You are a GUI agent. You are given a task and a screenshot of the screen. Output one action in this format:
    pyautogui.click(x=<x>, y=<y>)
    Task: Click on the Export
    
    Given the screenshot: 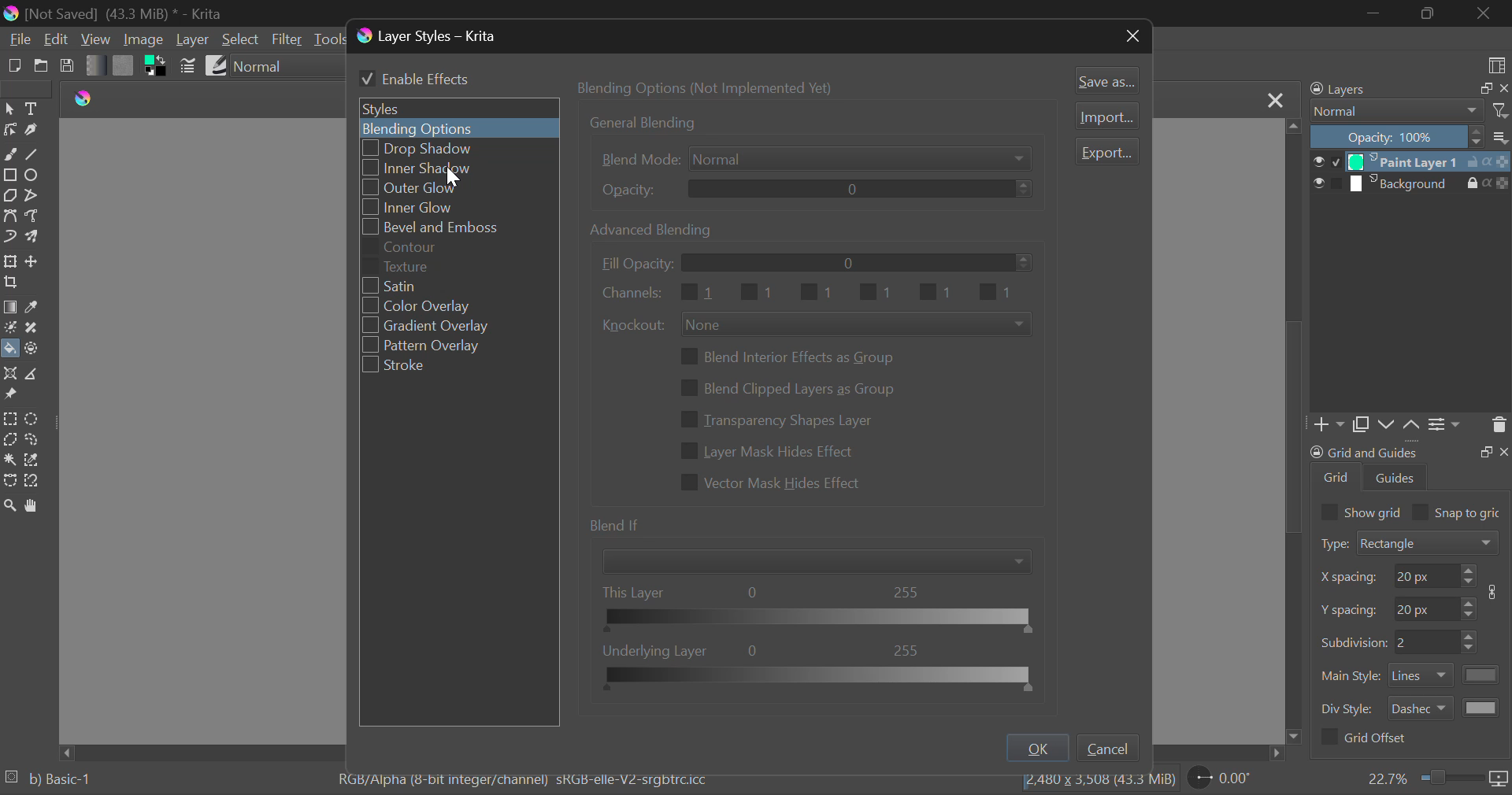 What is the action you would take?
    pyautogui.click(x=1106, y=152)
    